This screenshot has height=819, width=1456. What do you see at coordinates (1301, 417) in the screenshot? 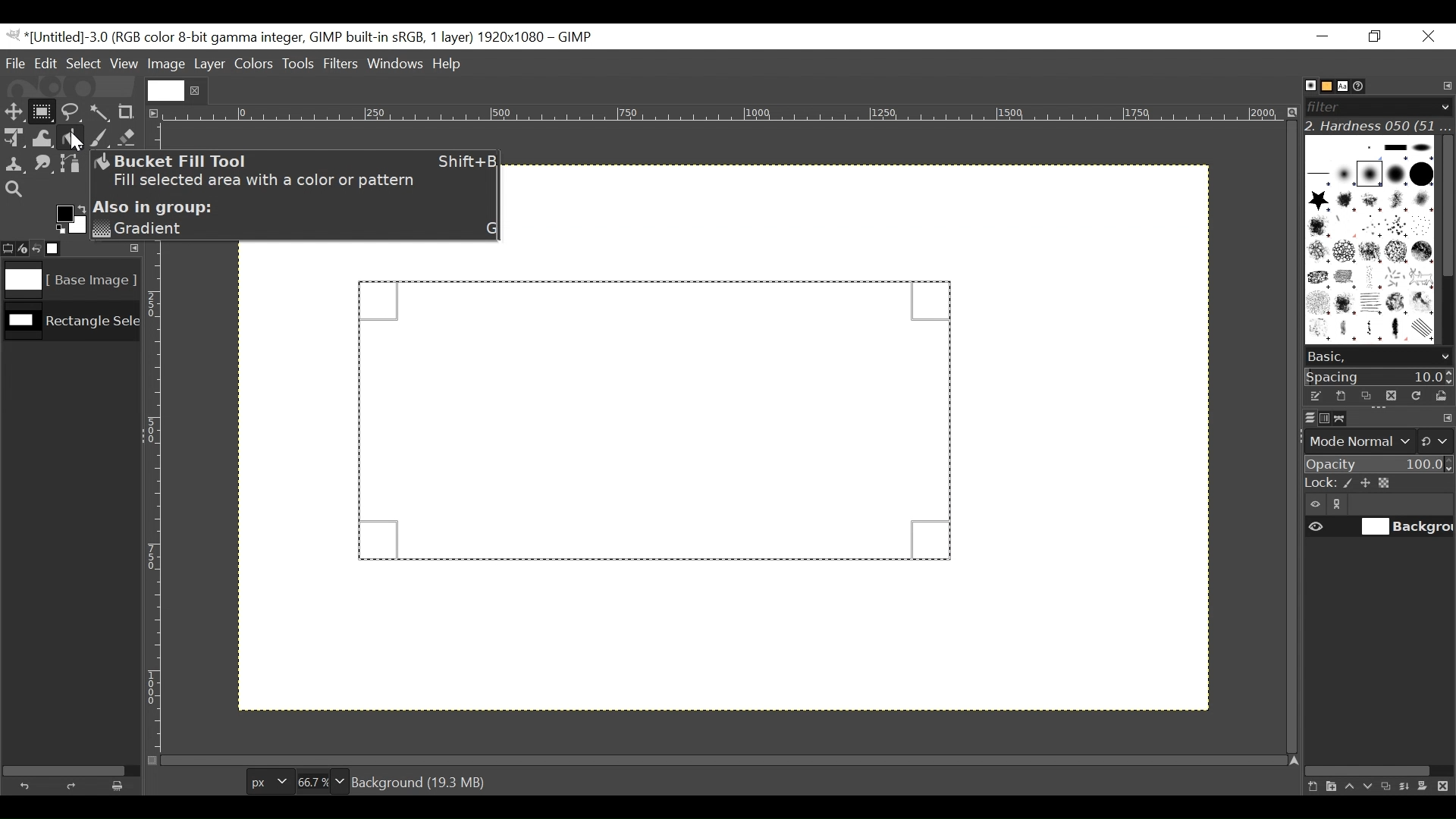
I see `Layers` at bounding box center [1301, 417].